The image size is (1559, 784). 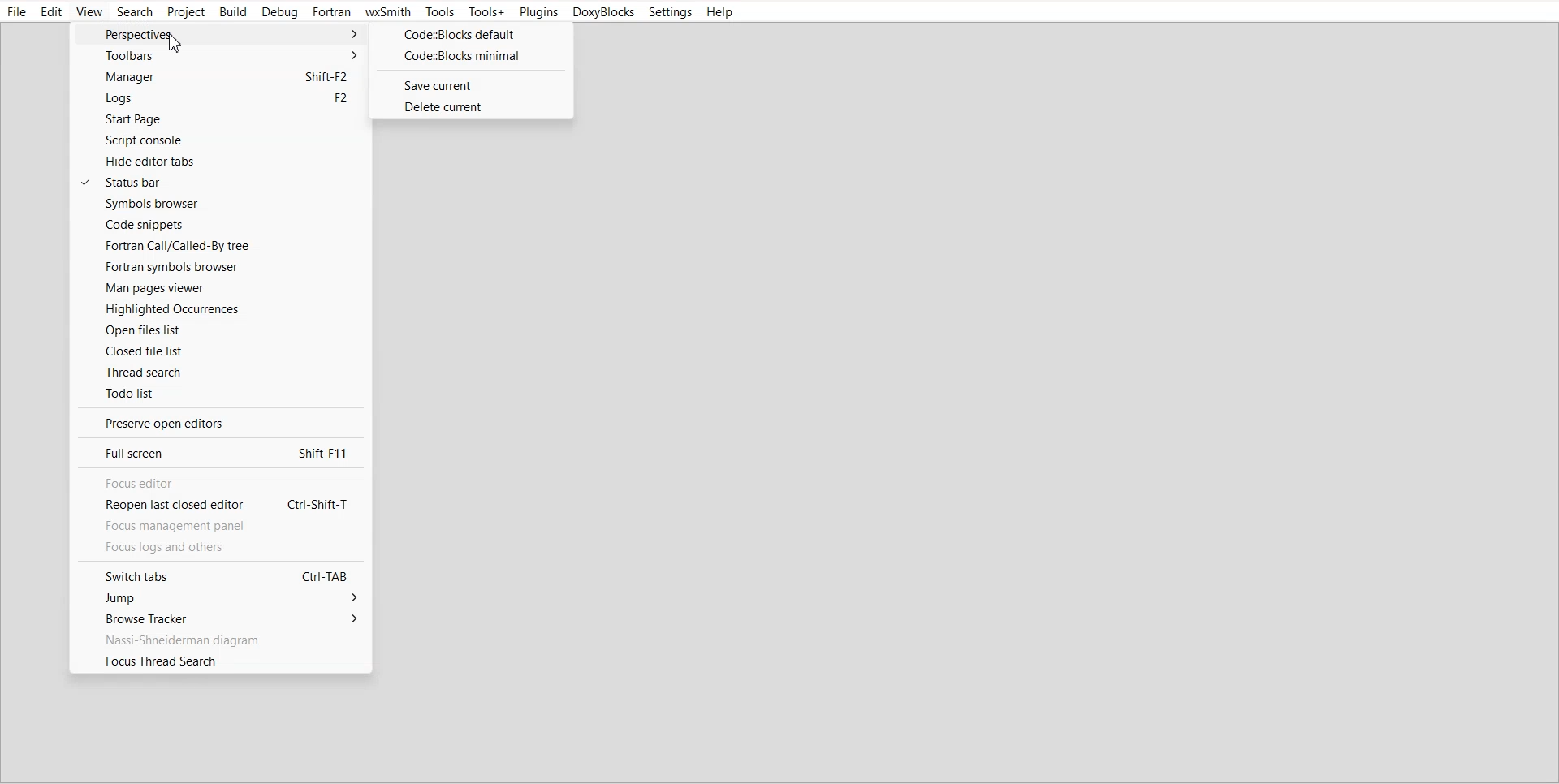 I want to click on Highlighted Occurrences, so click(x=219, y=308).